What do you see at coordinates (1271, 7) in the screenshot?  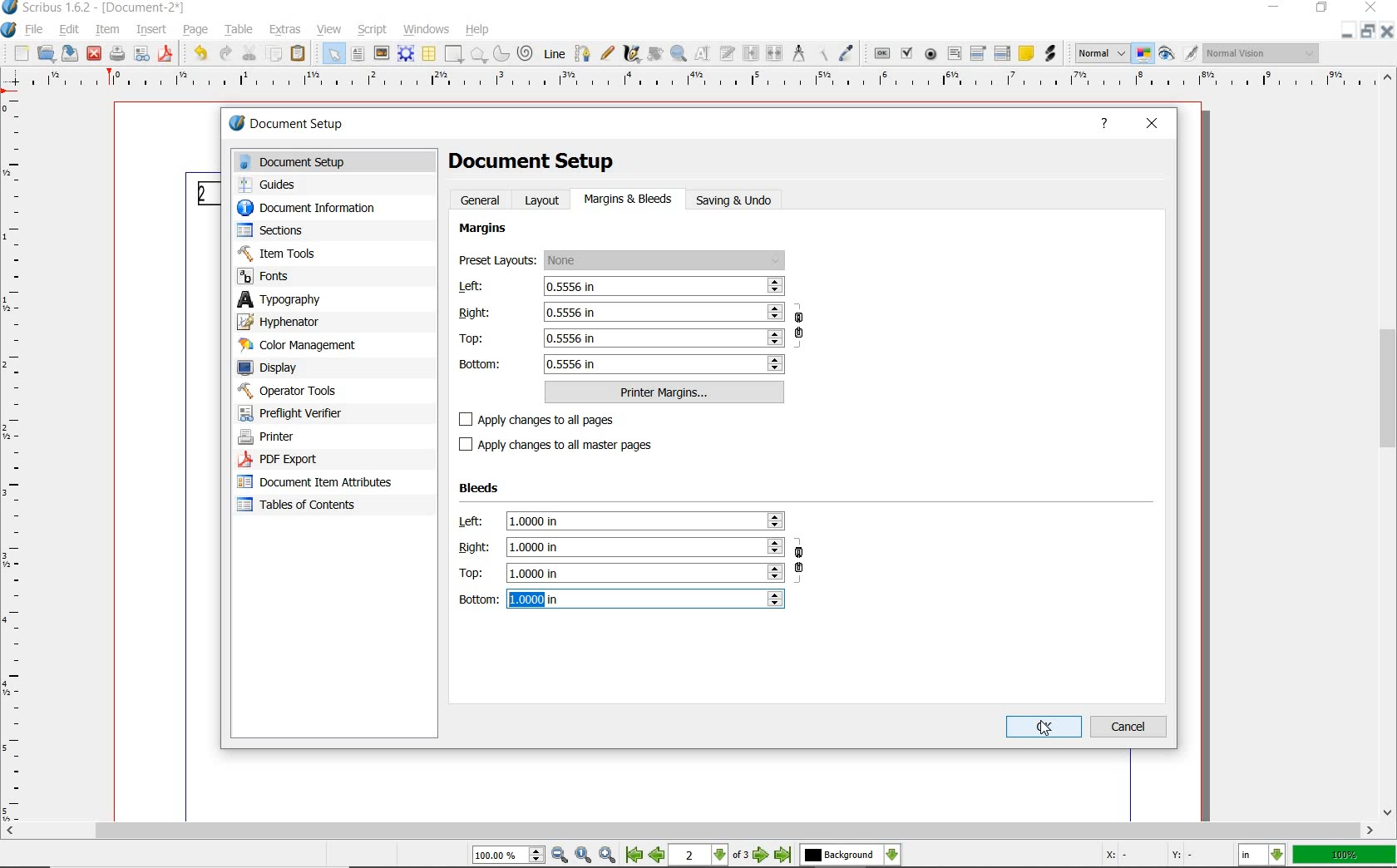 I see `minimize` at bounding box center [1271, 7].